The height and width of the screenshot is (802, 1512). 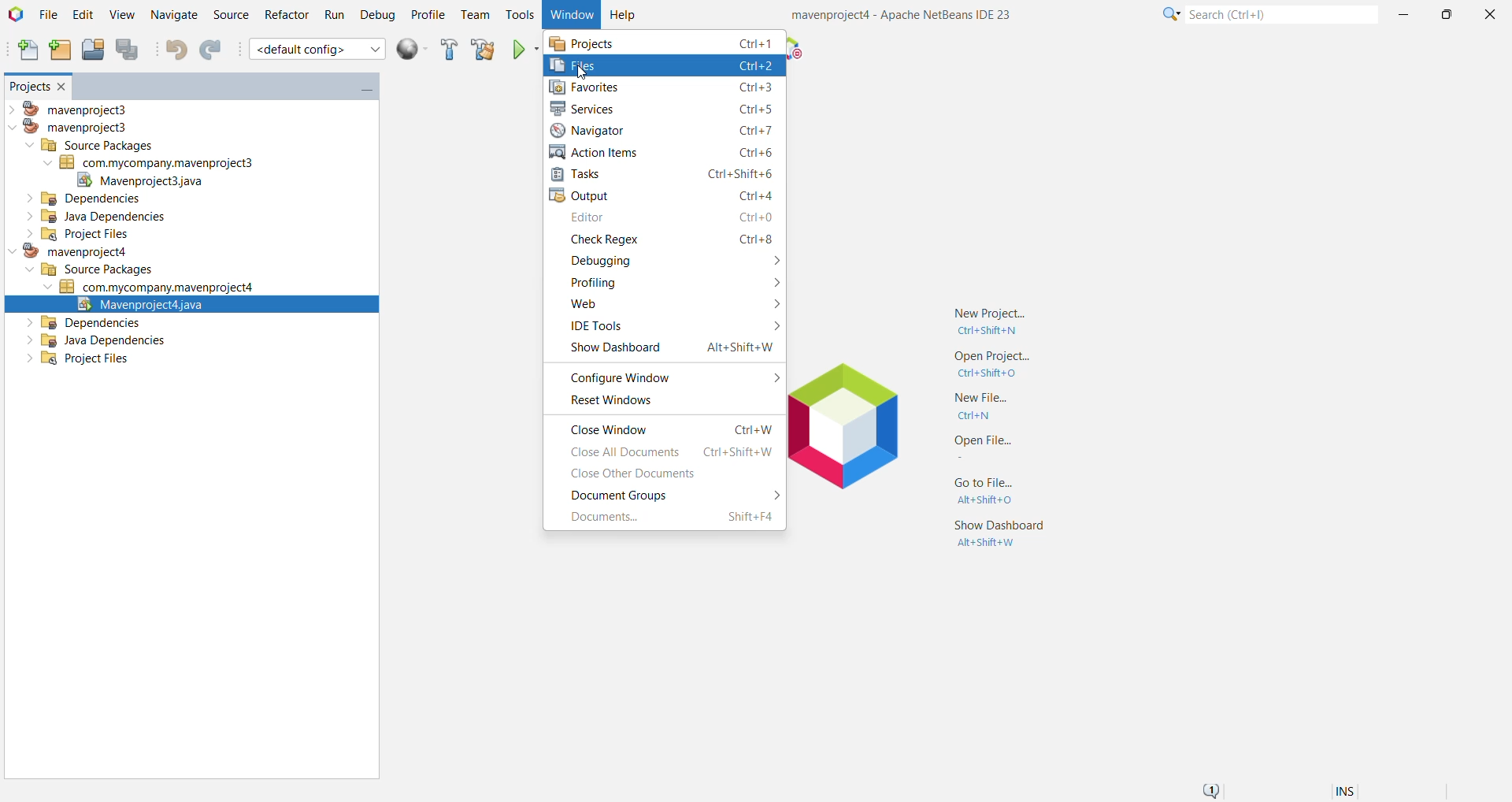 What do you see at coordinates (122, 16) in the screenshot?
I see `View` at bounding box center [122, 16].